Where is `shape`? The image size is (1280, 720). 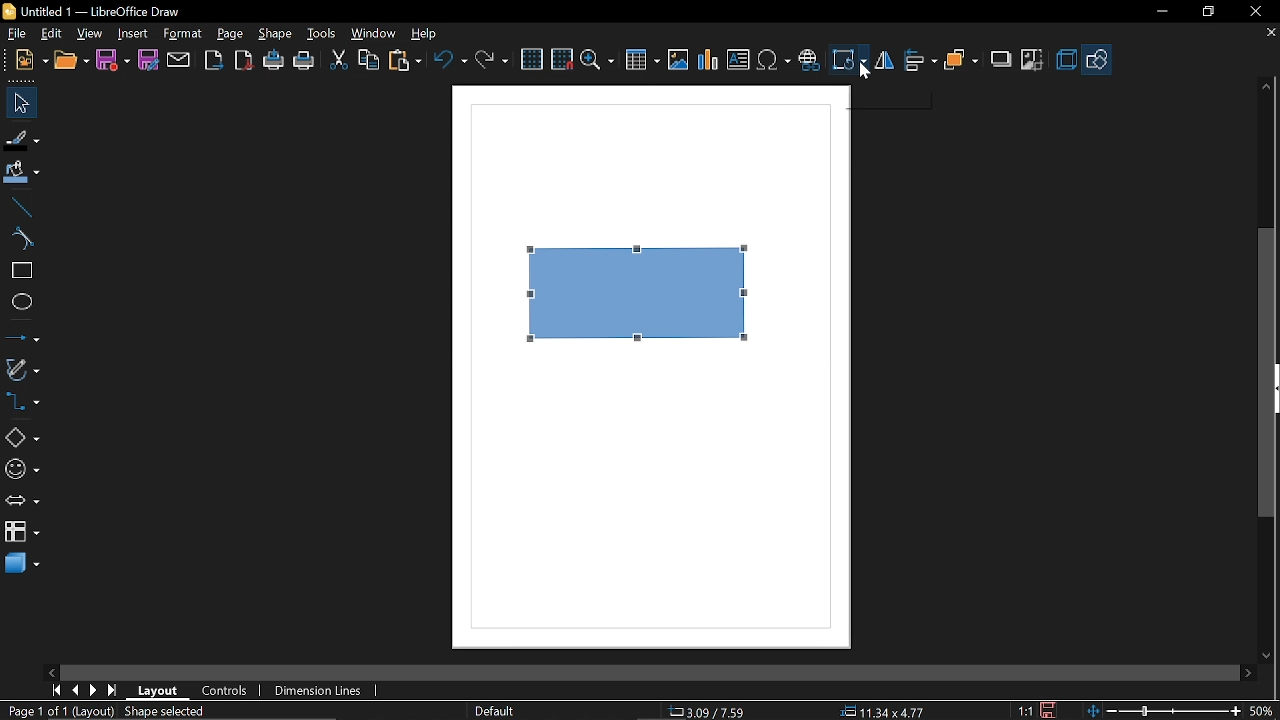
shape is located at coordinates (276, 35).